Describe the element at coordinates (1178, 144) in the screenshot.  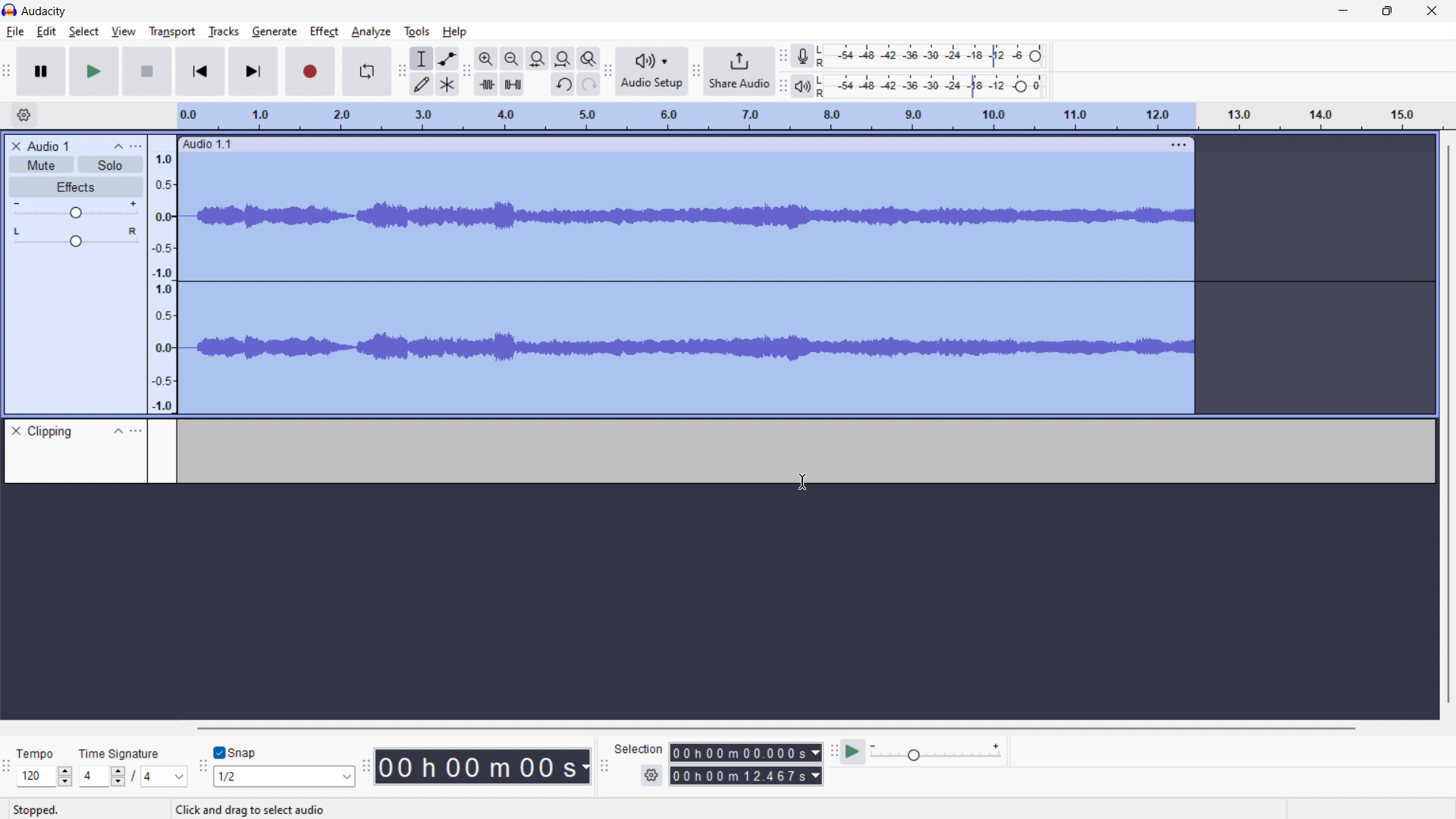
I see `track options` at that location.